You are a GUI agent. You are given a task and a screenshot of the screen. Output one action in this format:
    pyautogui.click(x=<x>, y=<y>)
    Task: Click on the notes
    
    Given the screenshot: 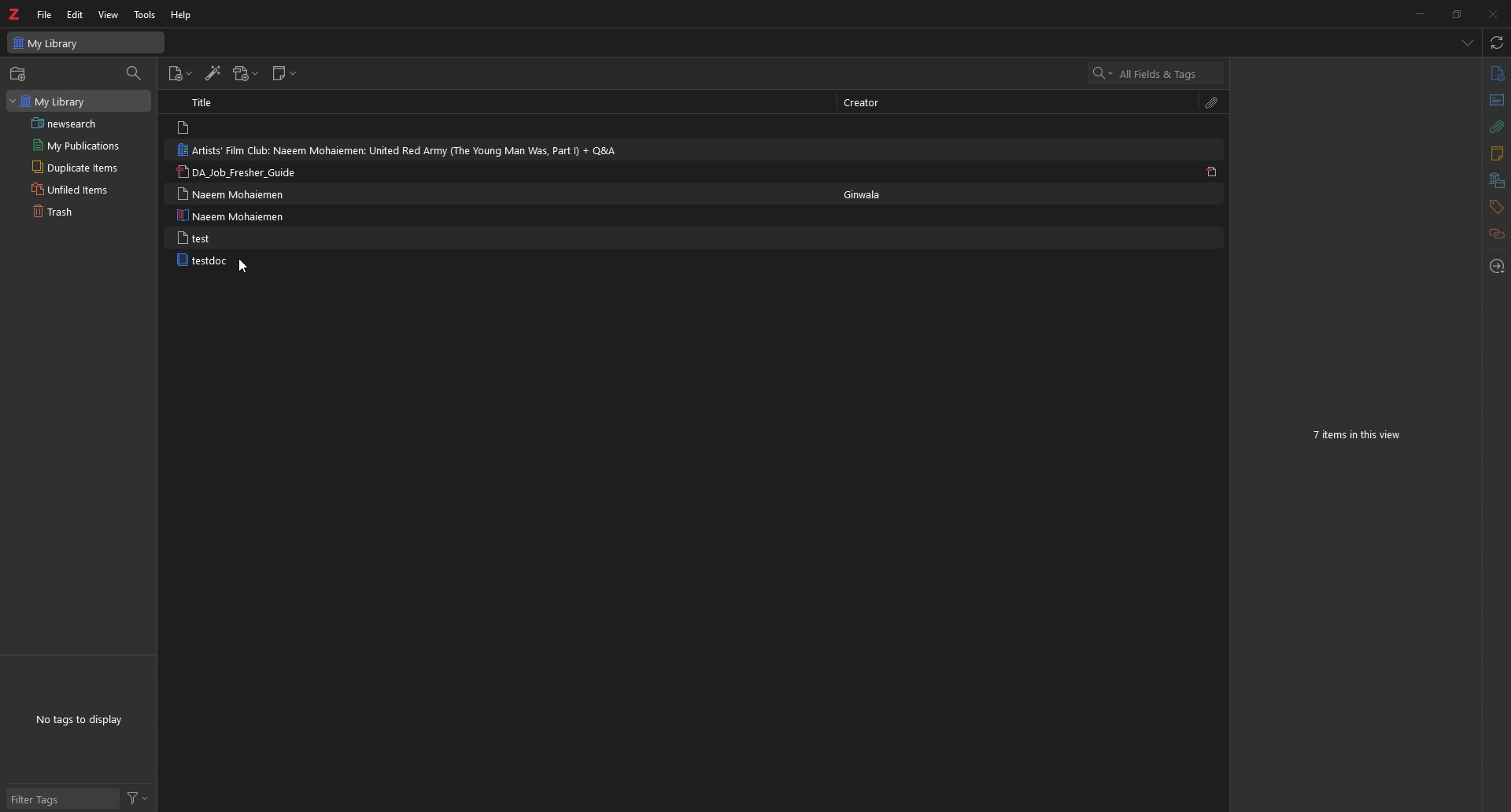 What is the action you would take?
    pyautogui.click(x=1496, y=154)
    